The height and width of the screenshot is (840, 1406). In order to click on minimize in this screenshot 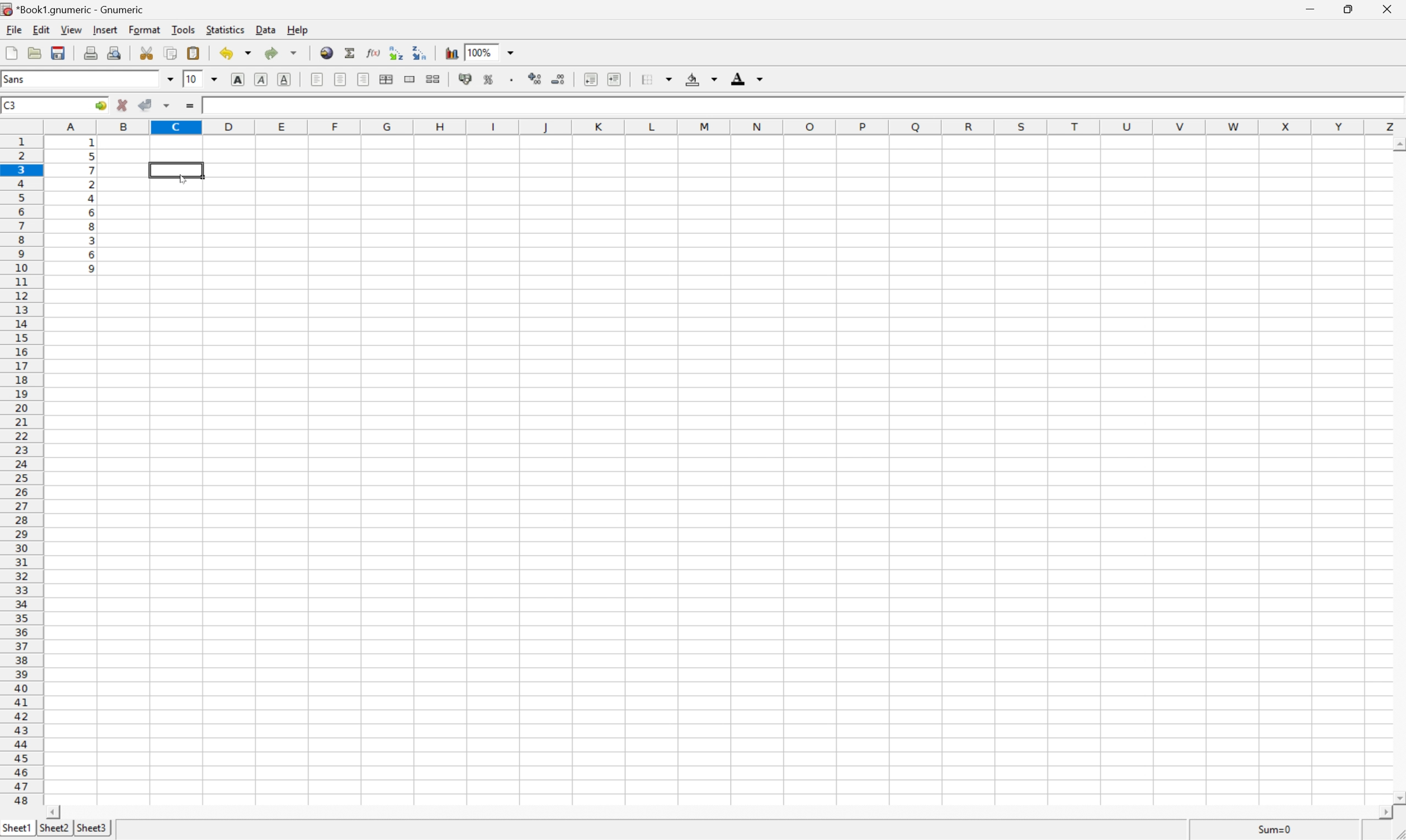, I will do `click(1315, 10)`.